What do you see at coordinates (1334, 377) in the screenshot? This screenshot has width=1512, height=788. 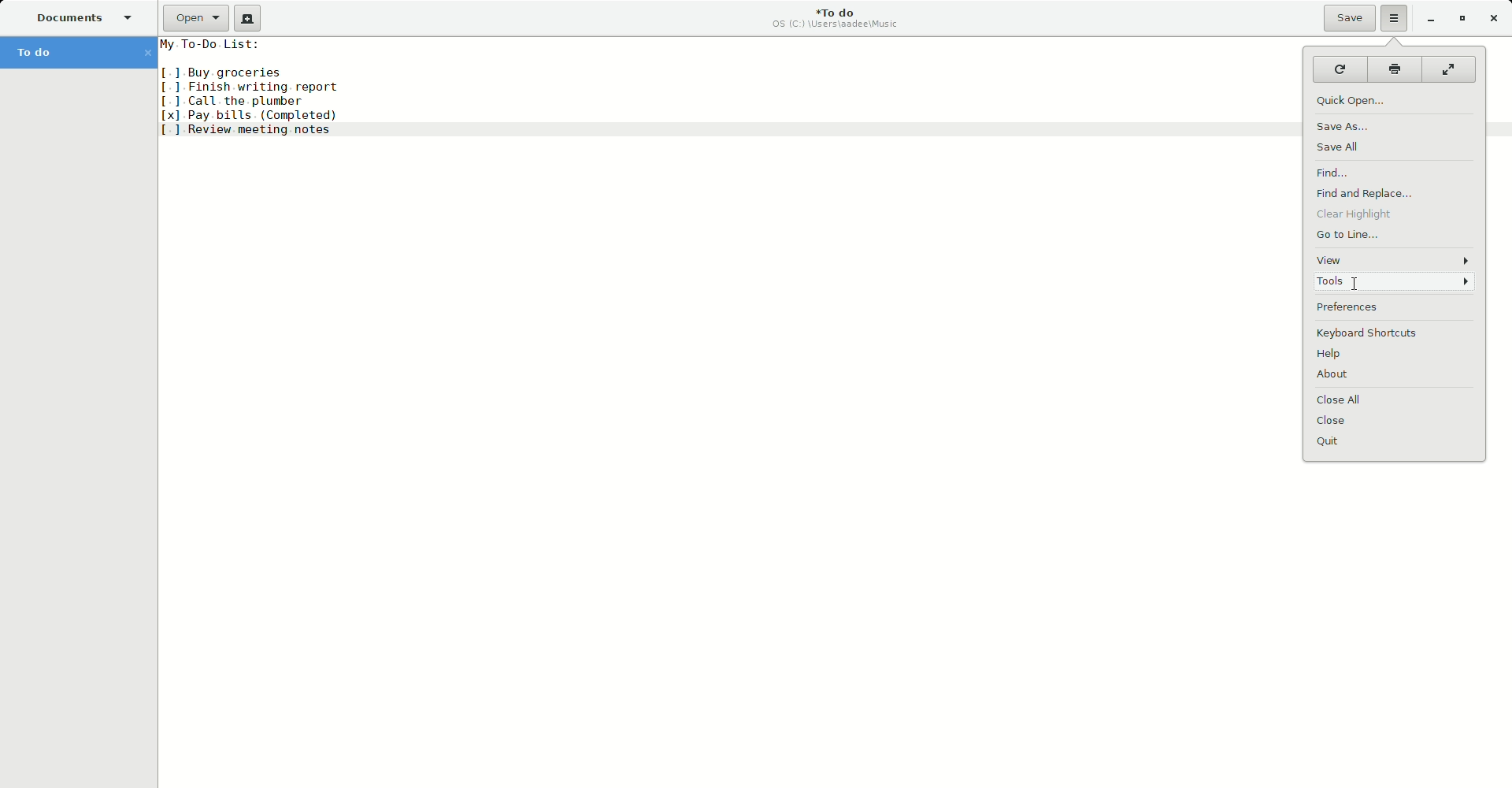 I see `About` at bounding box center [1334, 377].